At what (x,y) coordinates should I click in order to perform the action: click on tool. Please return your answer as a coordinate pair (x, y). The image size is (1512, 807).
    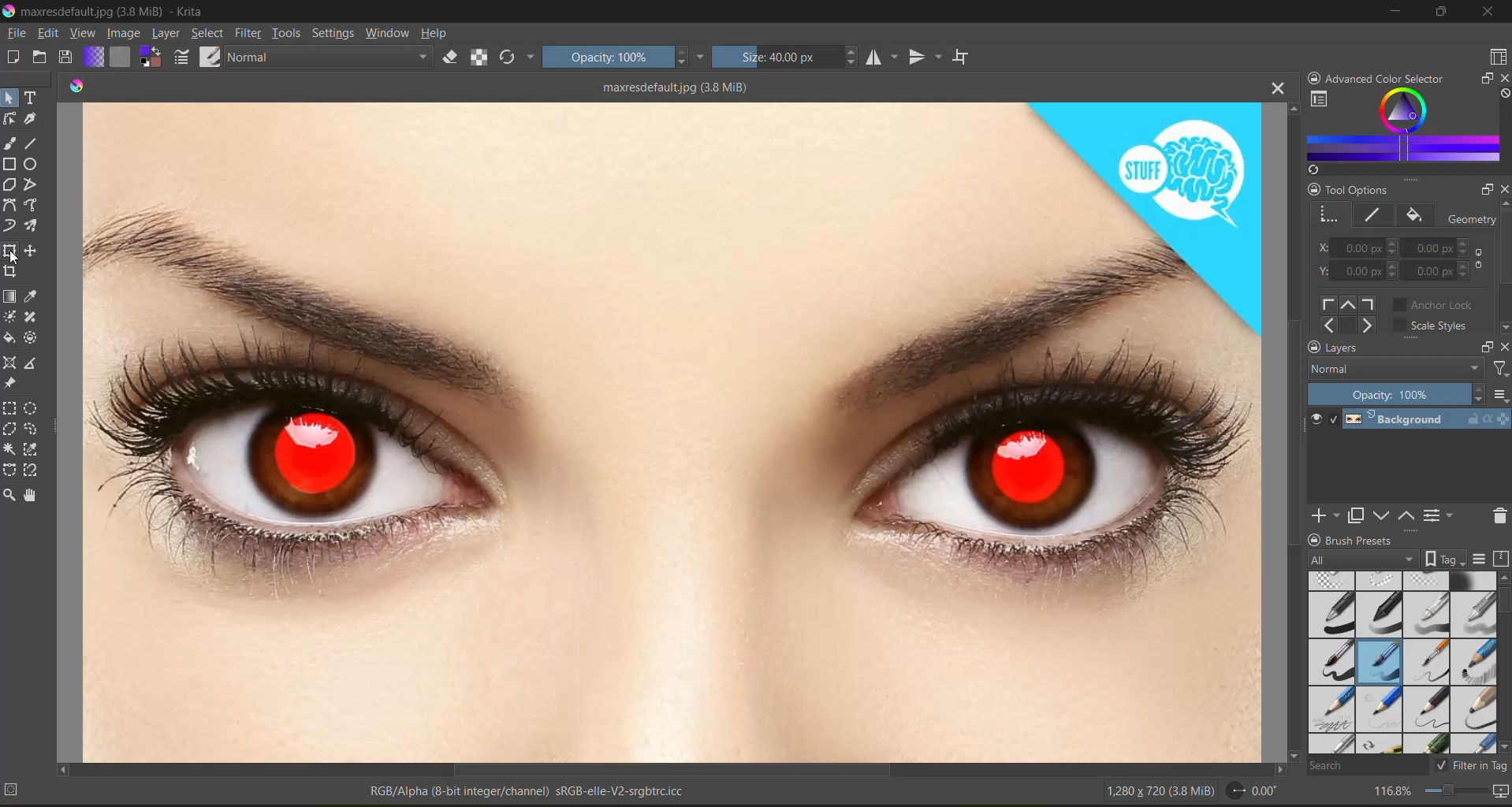
    Looking at the image, I should click on (11, 119).